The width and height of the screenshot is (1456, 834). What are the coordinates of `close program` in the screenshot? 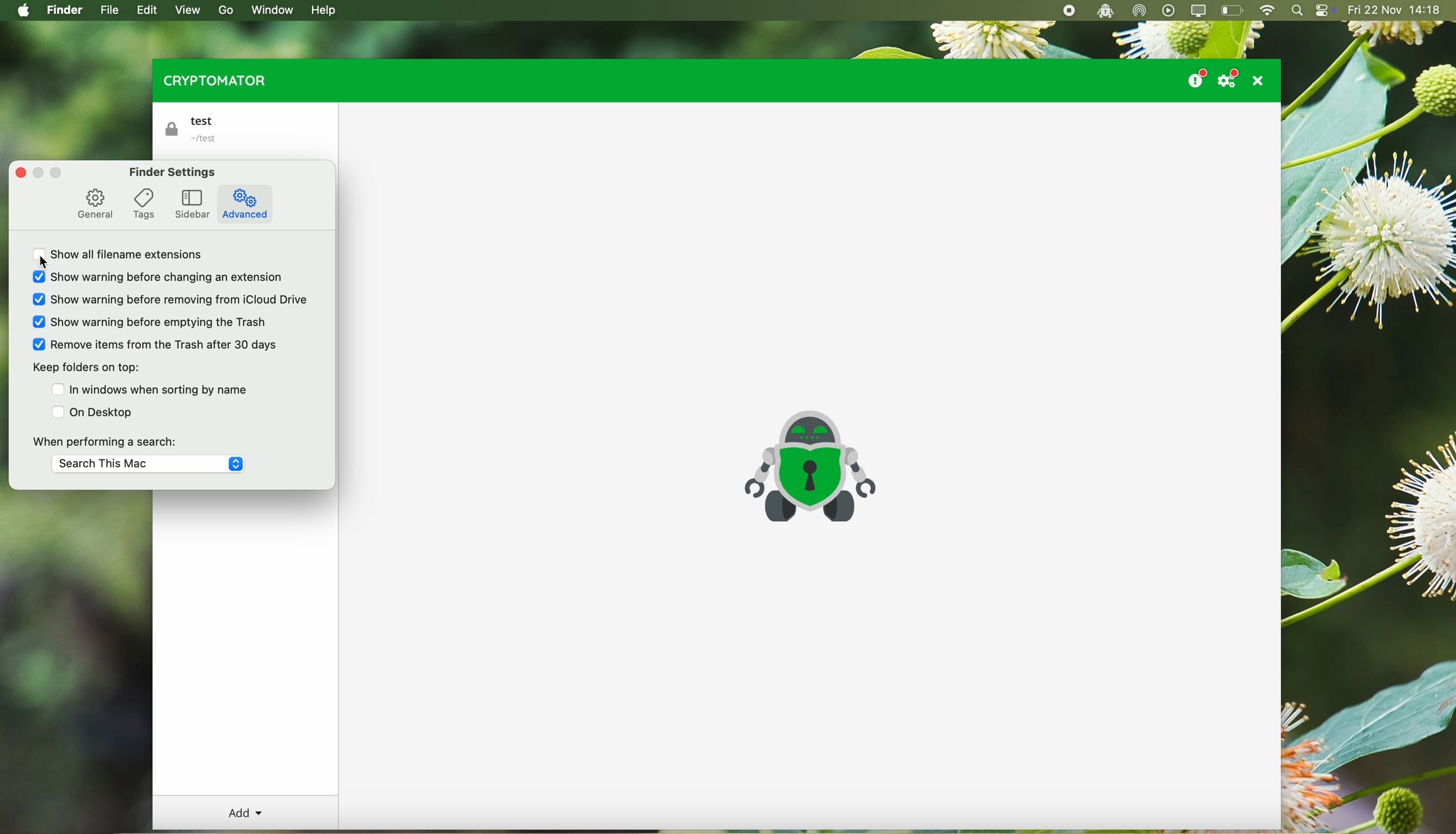 It's located at (1261, 80).